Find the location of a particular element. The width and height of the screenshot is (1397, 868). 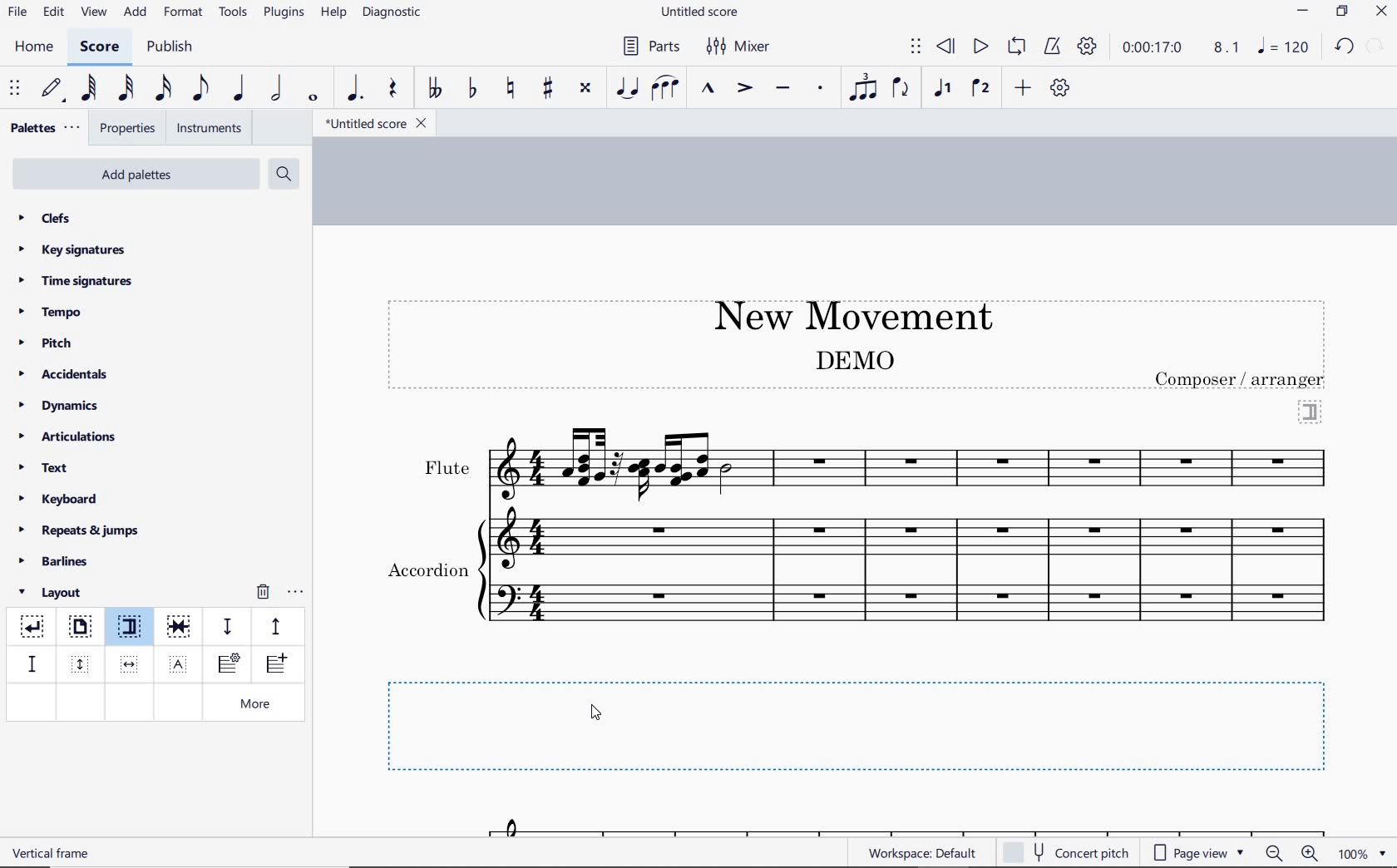

system break is located at coordinates (33, 624).